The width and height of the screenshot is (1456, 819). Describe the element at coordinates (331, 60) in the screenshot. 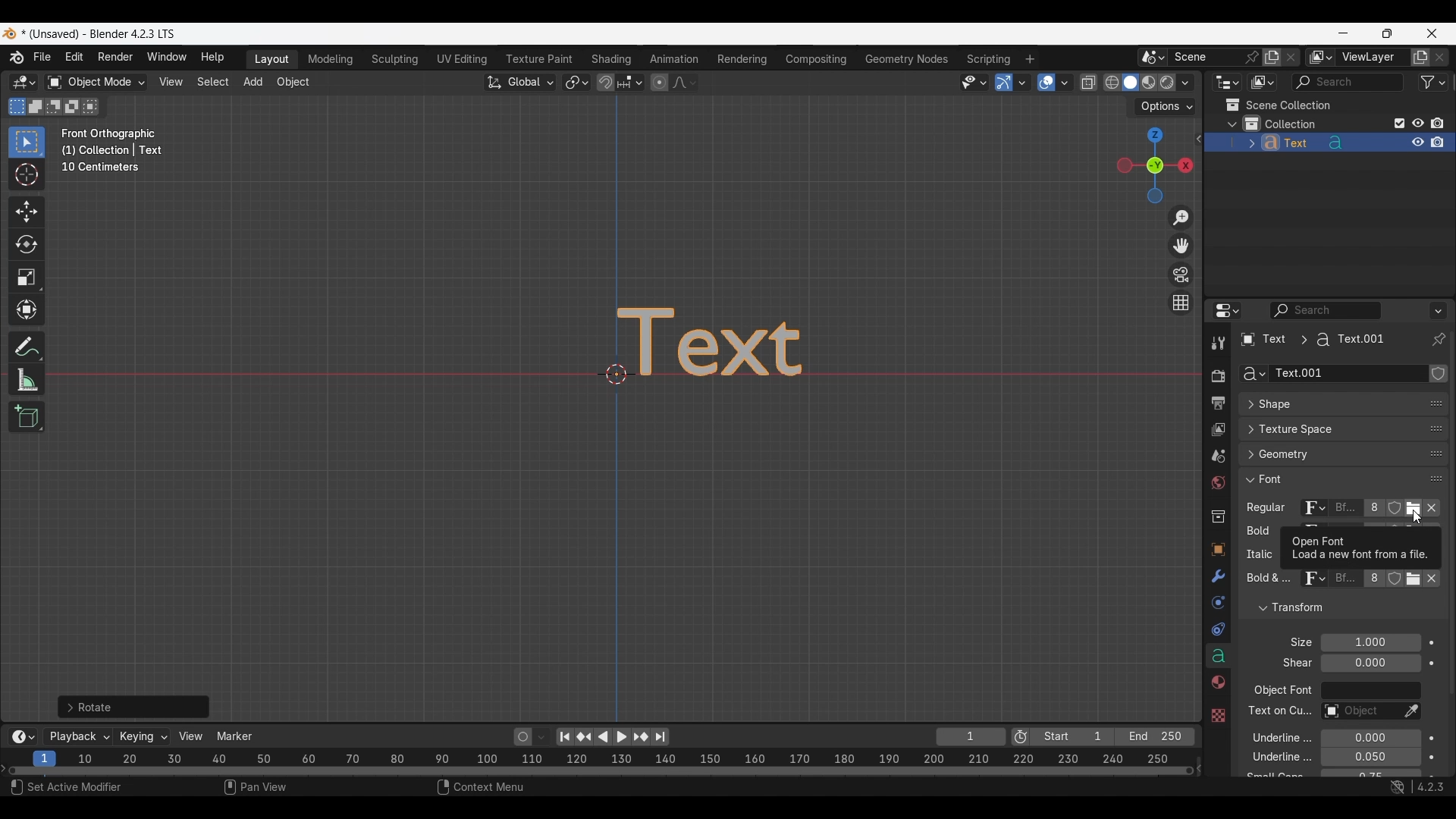

I see `Medeling workspace` at that location.